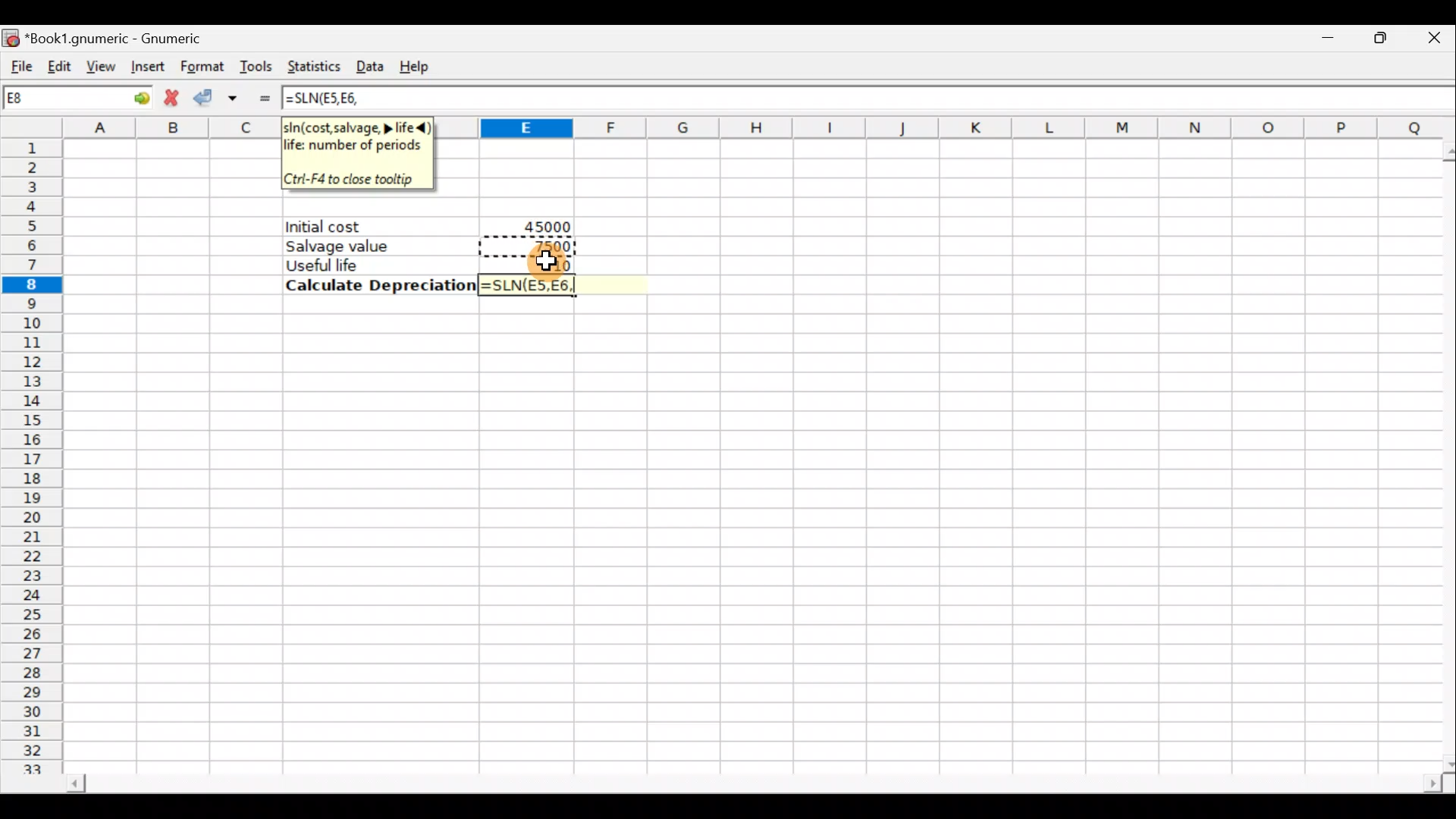  Describe the element at coordinates (376, 285) in the screenshot. I see `Calculate Depreciation` at that location.